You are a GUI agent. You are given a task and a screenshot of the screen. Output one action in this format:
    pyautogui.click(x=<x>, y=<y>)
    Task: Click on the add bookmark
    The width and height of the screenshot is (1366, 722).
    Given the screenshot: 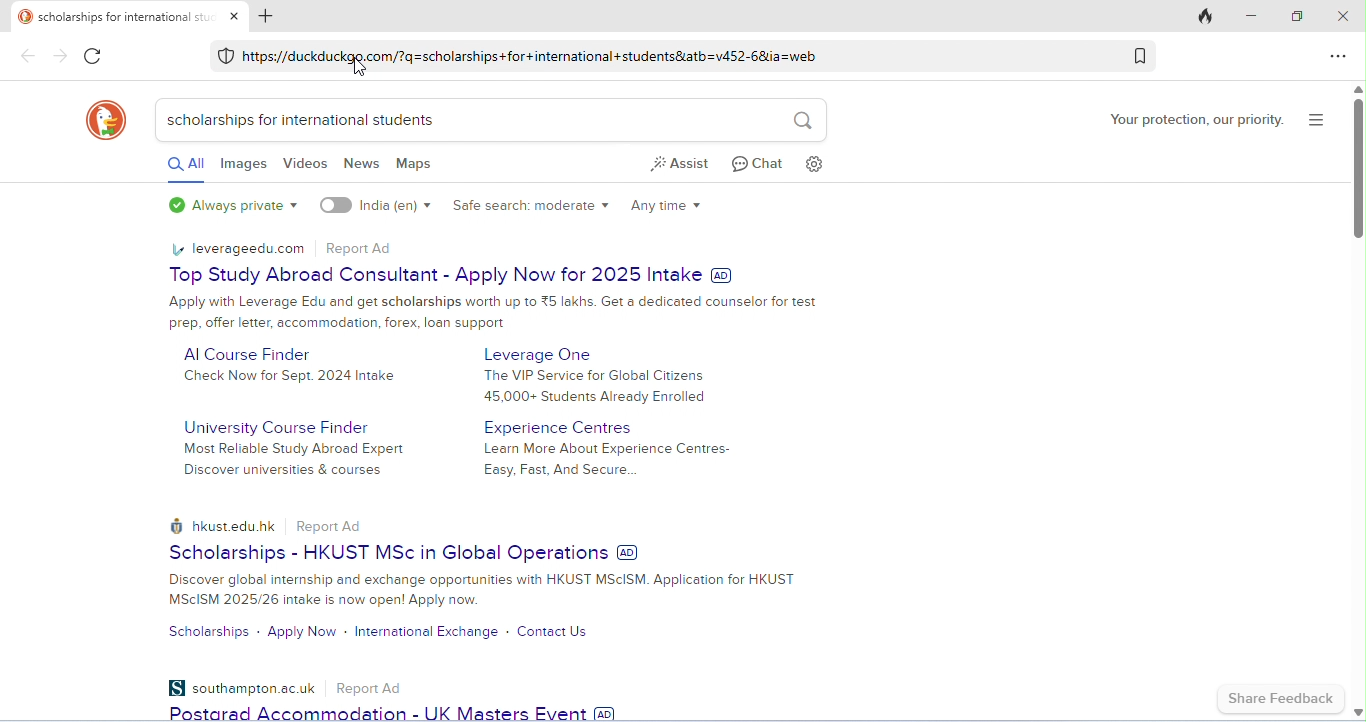 What is the action you would take?
    pyautogui.click(x=1138, y=55)
    